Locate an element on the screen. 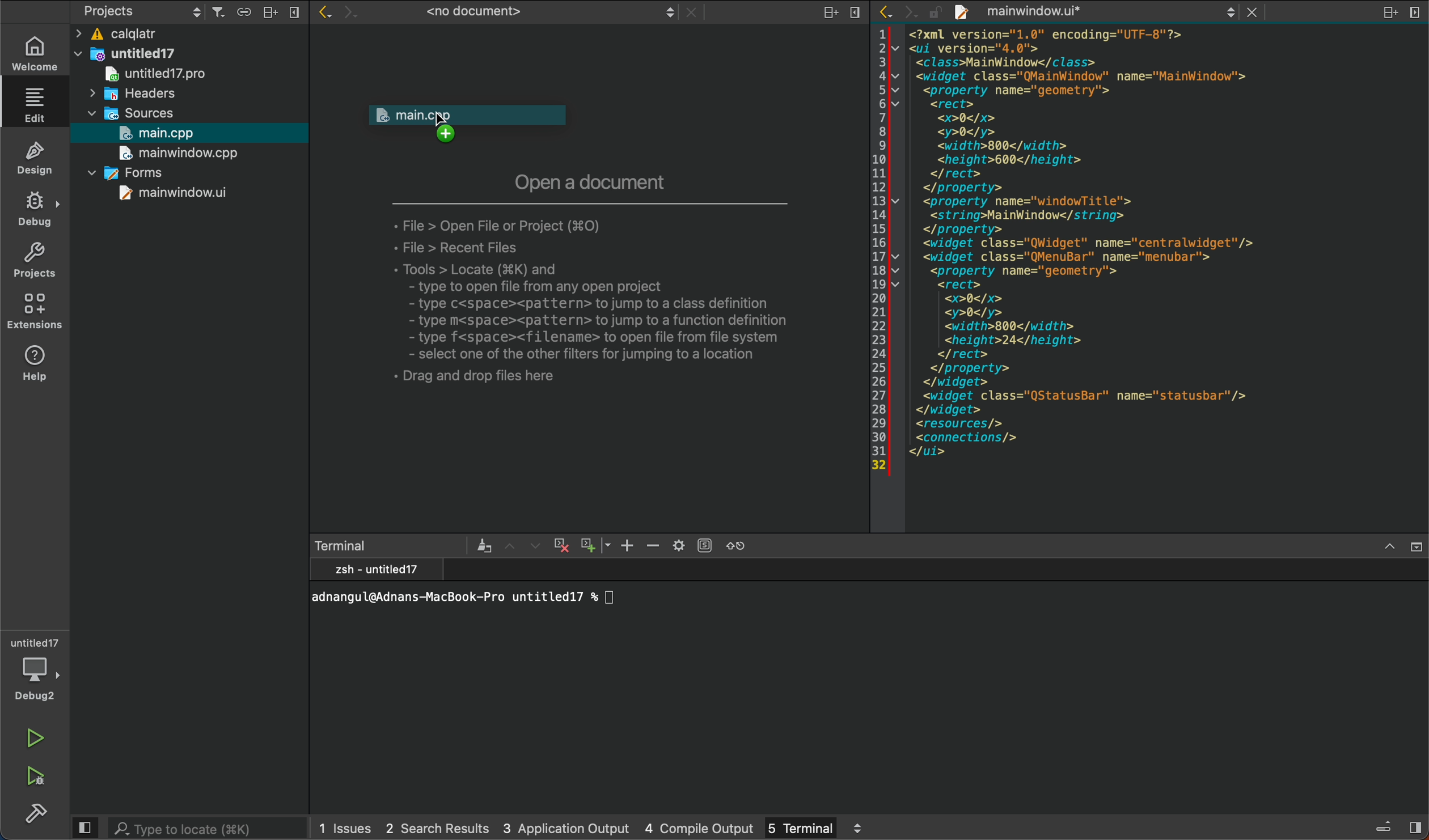 The height and width of the screenshot is (840, 1429). close is located at coordinates (294, 12).